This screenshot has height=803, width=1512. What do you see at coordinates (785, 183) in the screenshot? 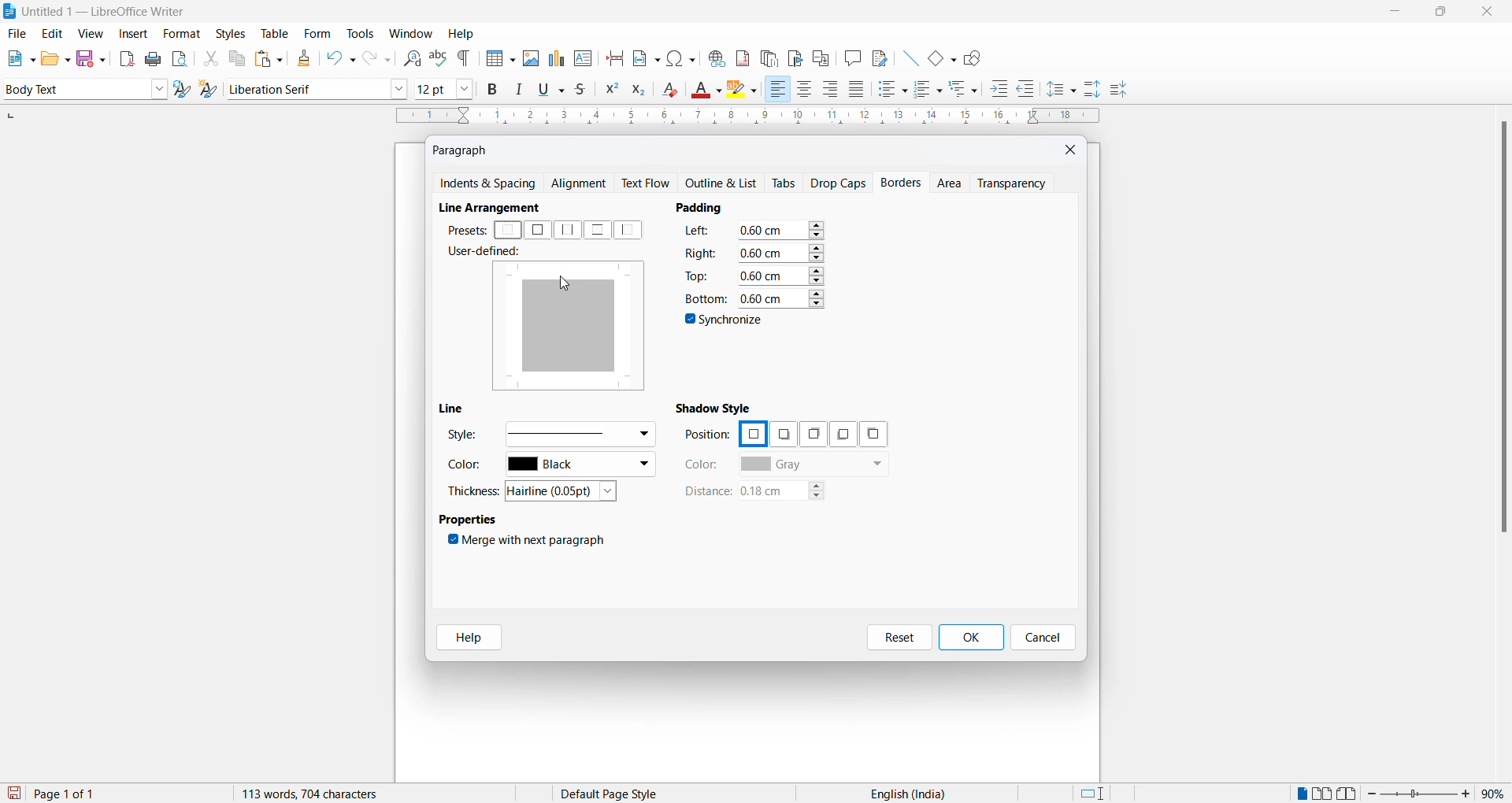
I see `tabs` at bounding box center [785, 183].